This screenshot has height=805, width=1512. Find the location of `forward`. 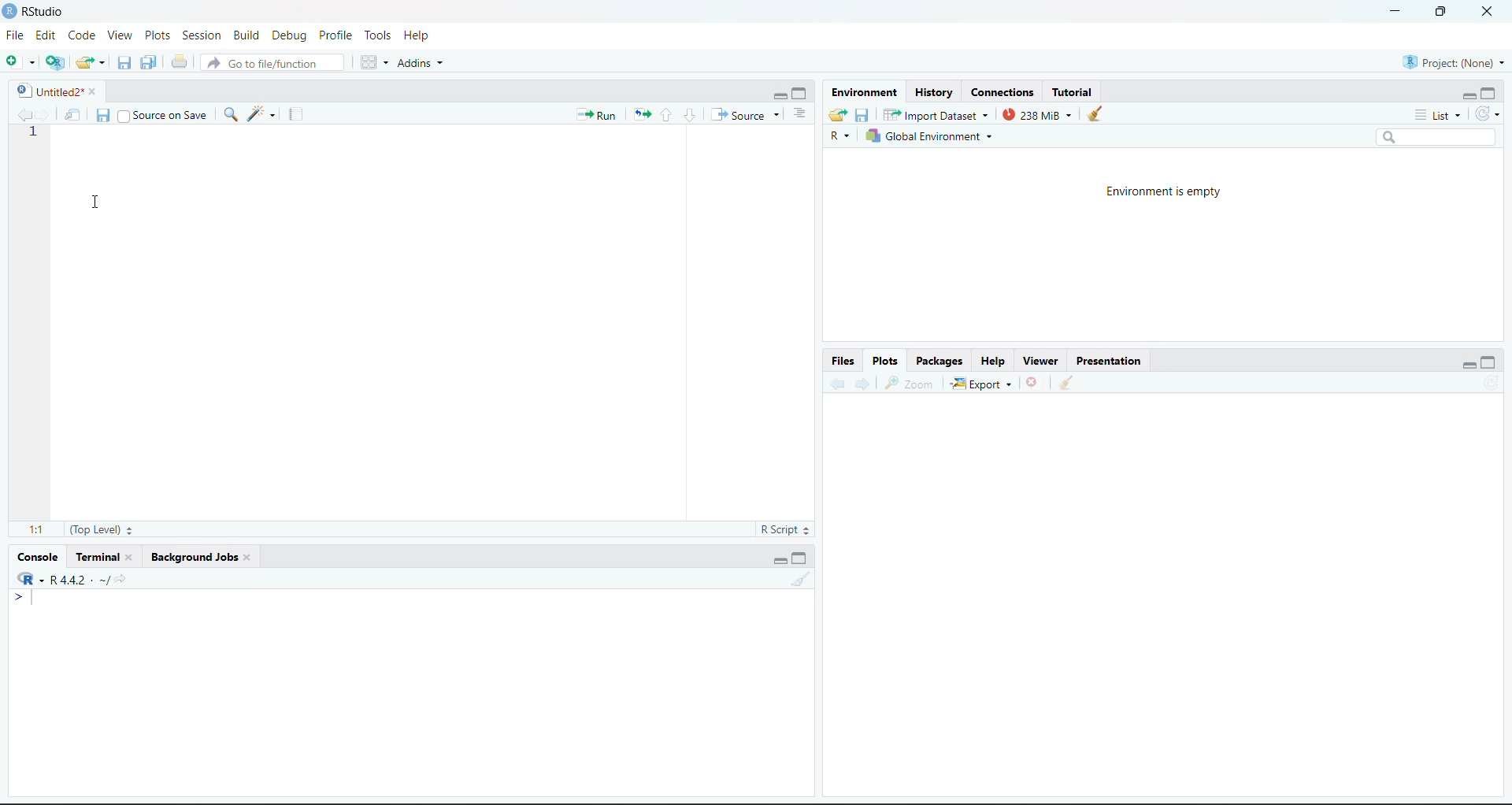

forward is located at coordinates (863, 384).